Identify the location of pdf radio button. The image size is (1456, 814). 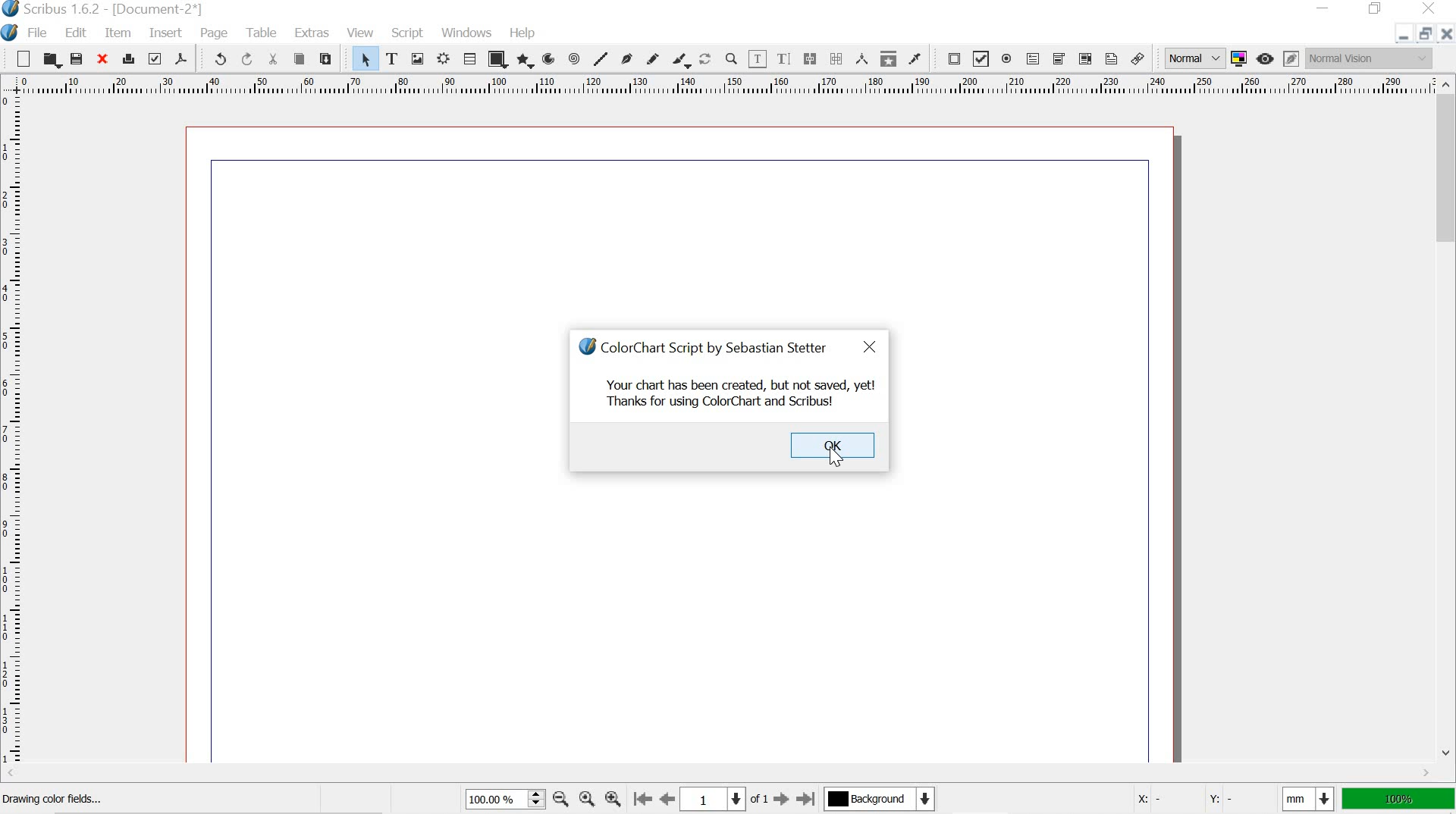
(1008, 61).